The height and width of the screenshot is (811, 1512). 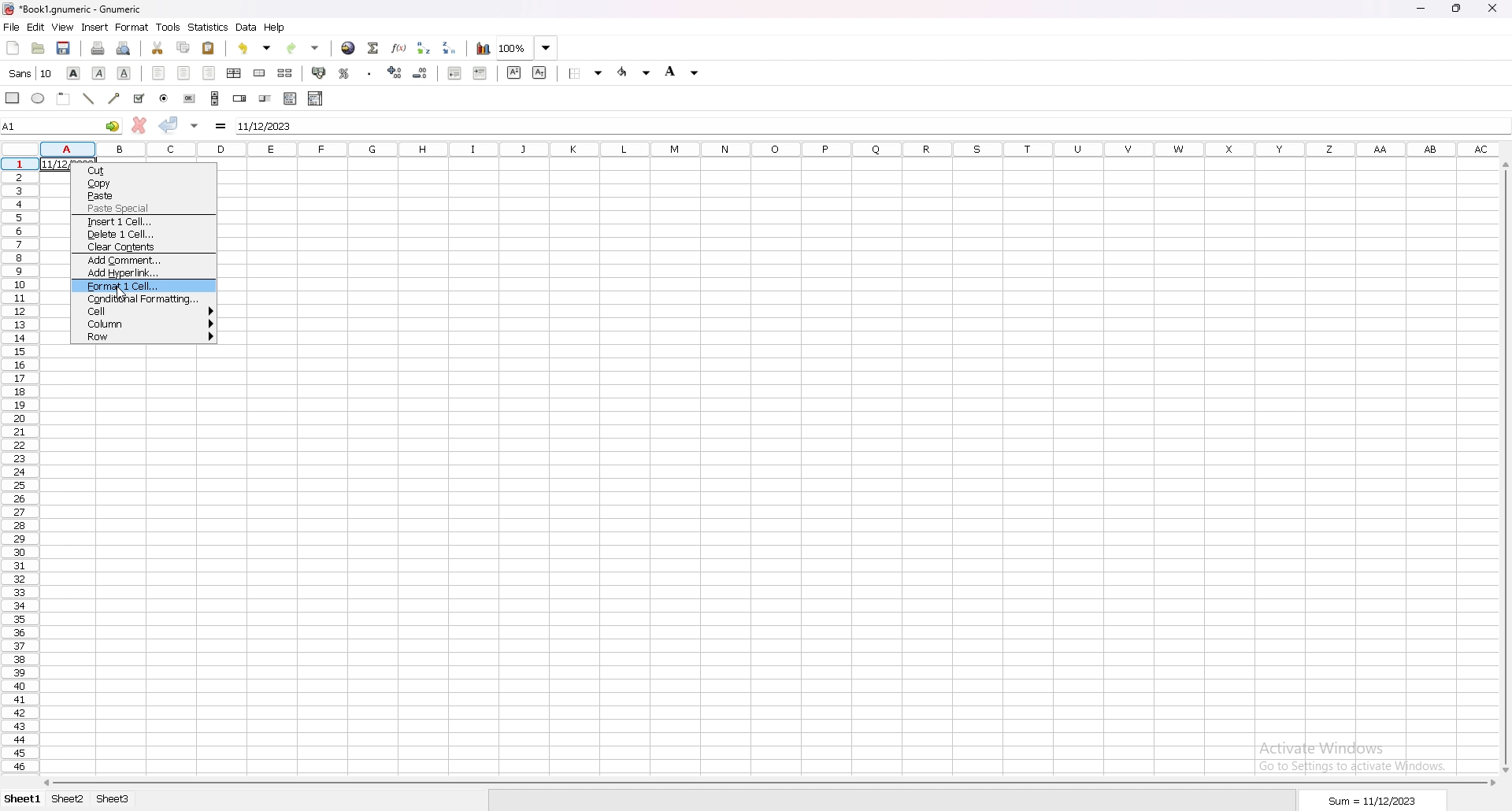 I want to click on insert, so click(x=95, y=28).